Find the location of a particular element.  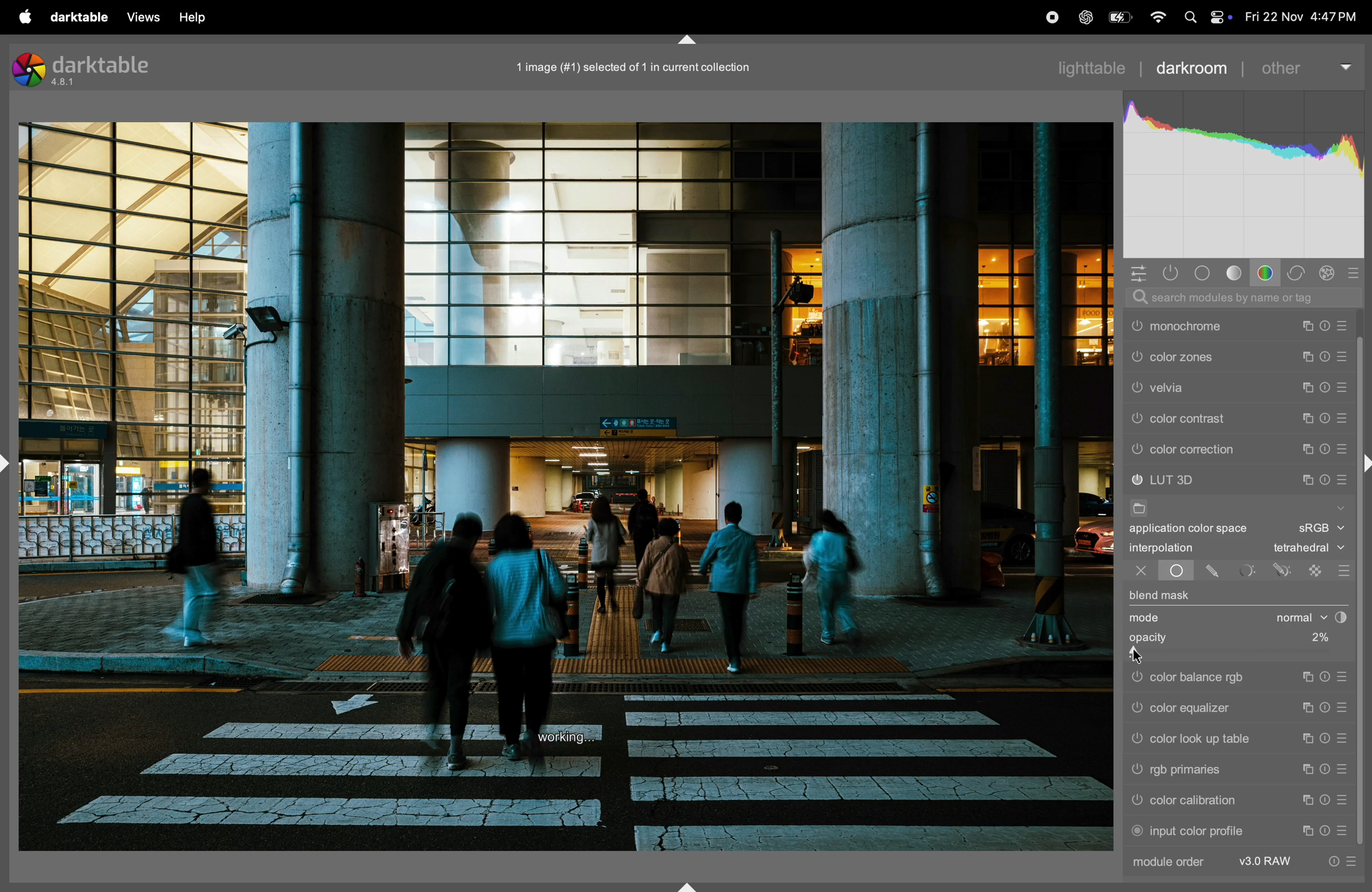

presets is located at coordinates (1345, 354).